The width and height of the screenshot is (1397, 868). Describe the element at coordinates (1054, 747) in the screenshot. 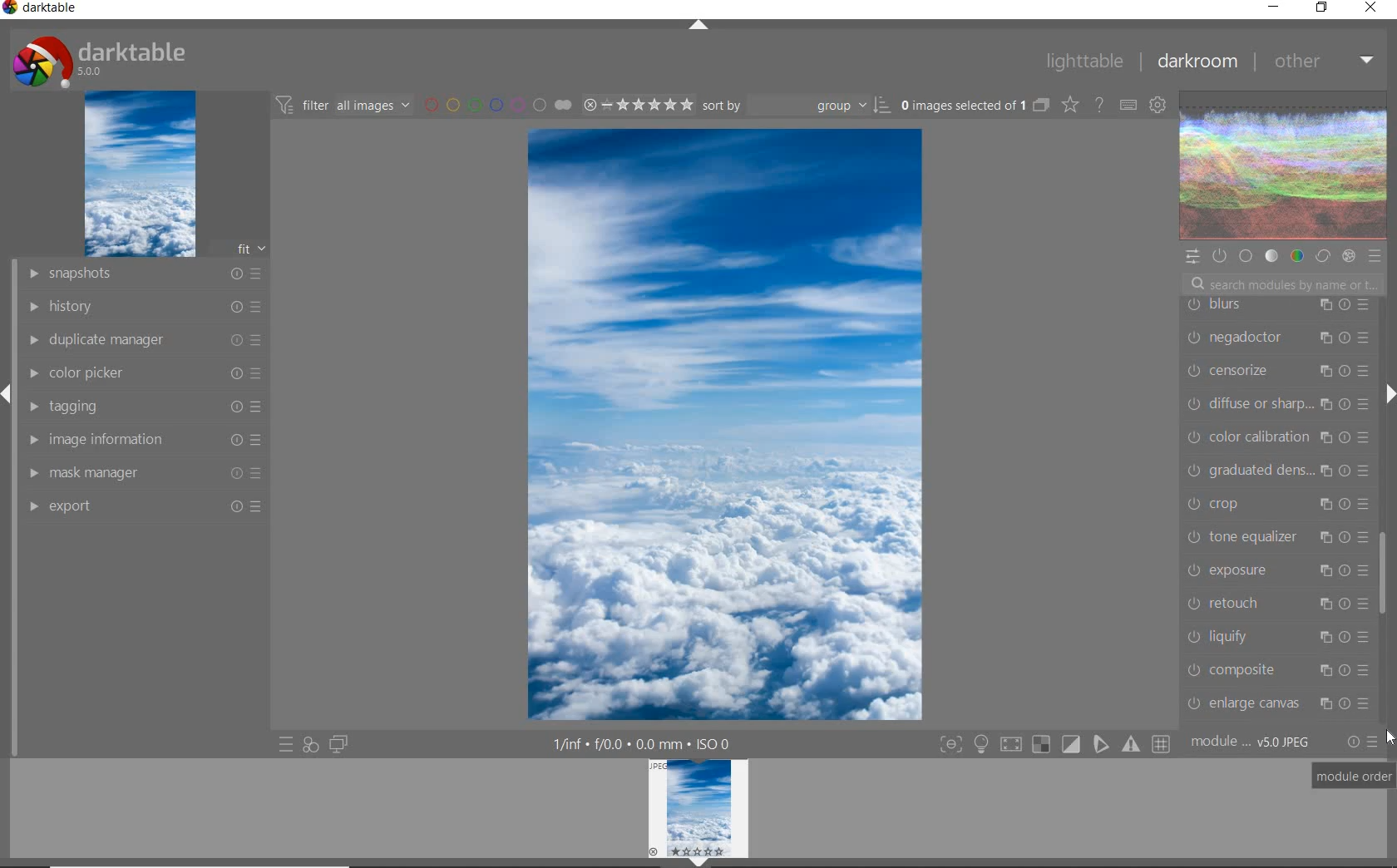

I see `TOGGLE MODES` at that location.